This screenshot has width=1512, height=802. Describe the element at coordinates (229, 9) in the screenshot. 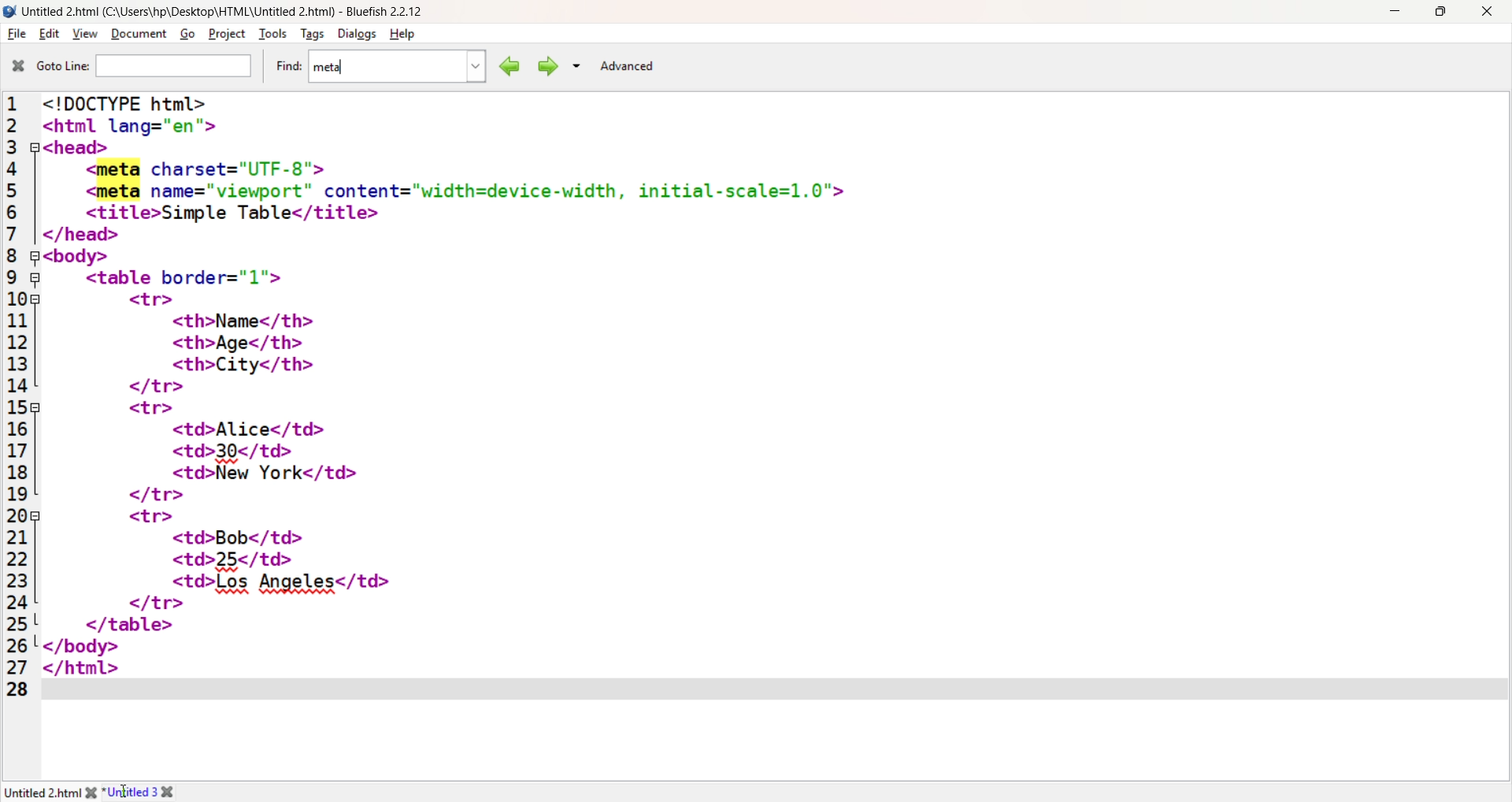

I see `Untitled 2.html (C:\Users\hp\Desktop\HTML\Untitled 2.html) - Bluefish 2.2.12` at that location.